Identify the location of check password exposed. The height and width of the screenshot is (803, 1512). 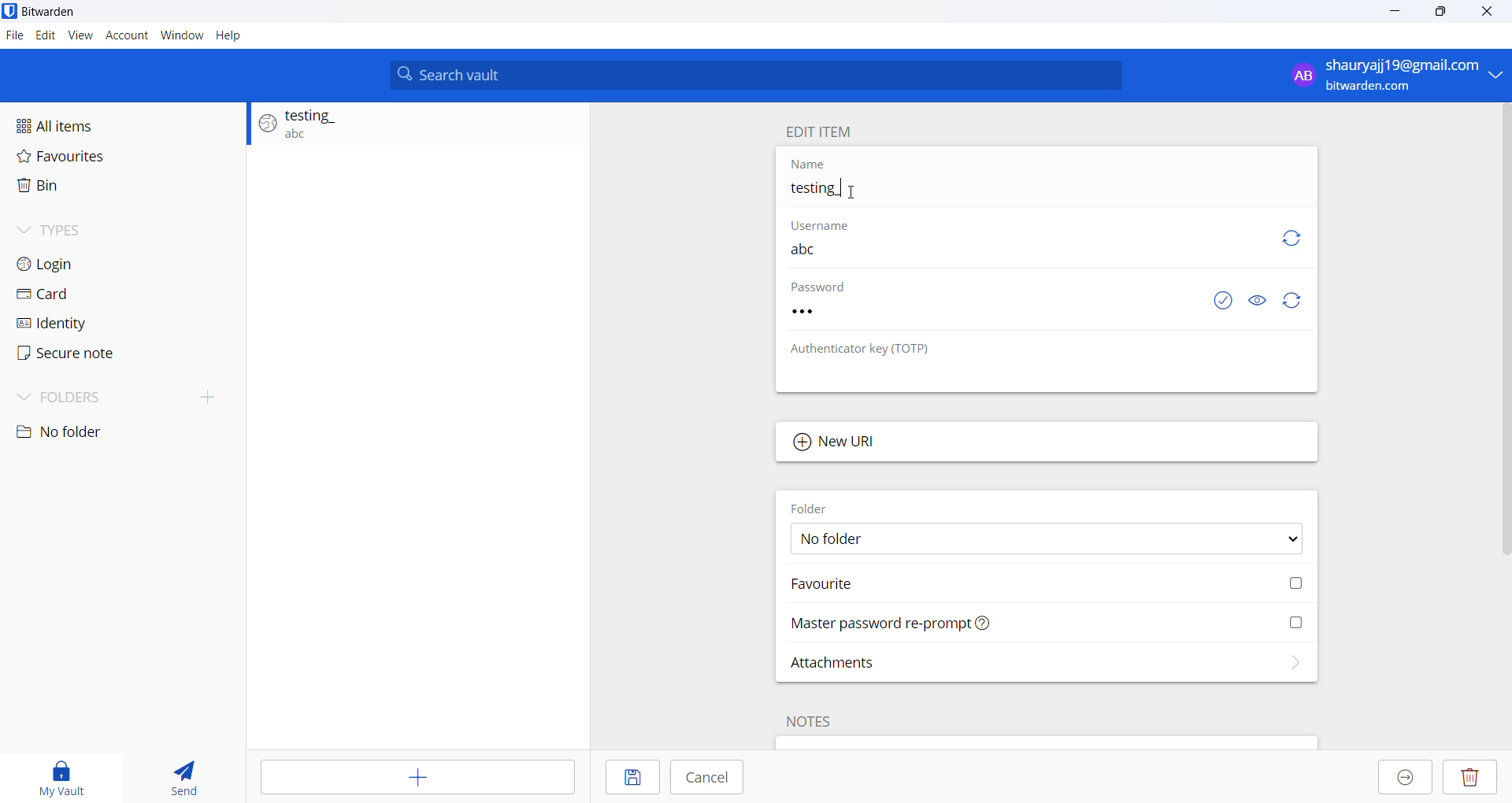
(1214, 303).